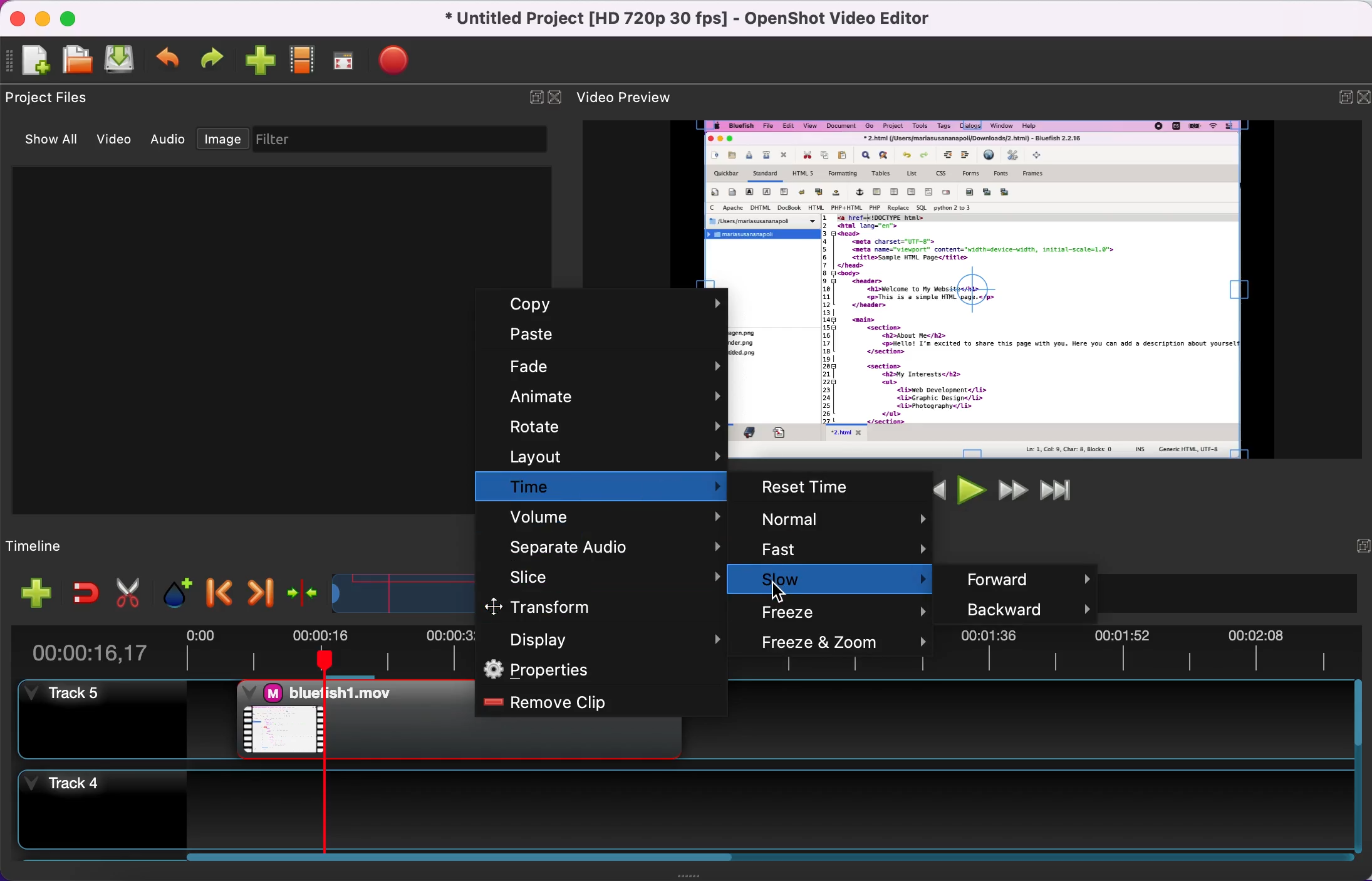  Describe the element at coordinates (172, 589) in the screenshot. I see `add marker` at that location.